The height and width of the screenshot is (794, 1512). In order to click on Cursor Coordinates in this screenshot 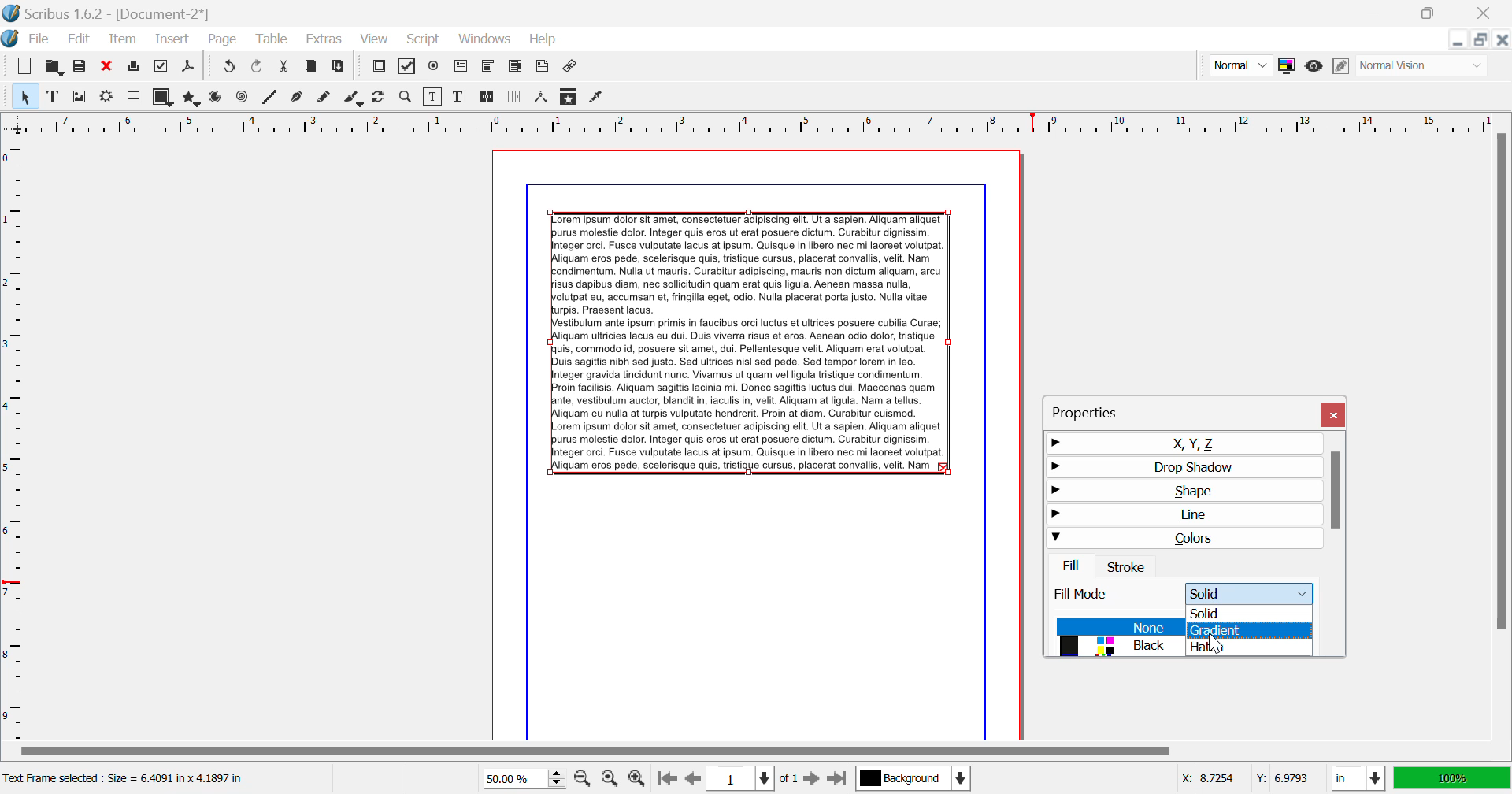, I will do `click(1244, 779)`.